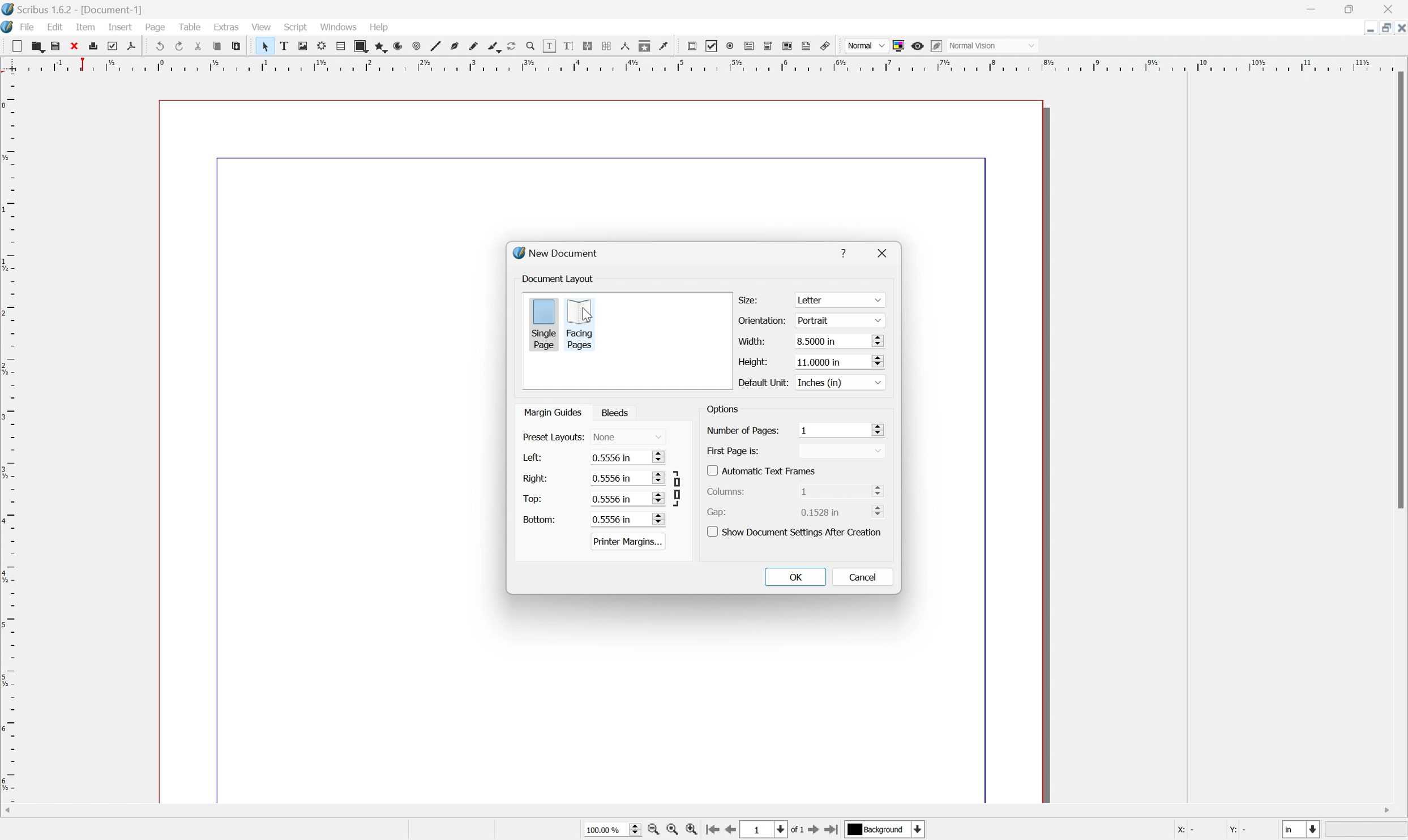 This screenshot has height=840, width=1408. Describe the element at coordinates (833, 830) in the screenshot. I see `go to last page` at that location.